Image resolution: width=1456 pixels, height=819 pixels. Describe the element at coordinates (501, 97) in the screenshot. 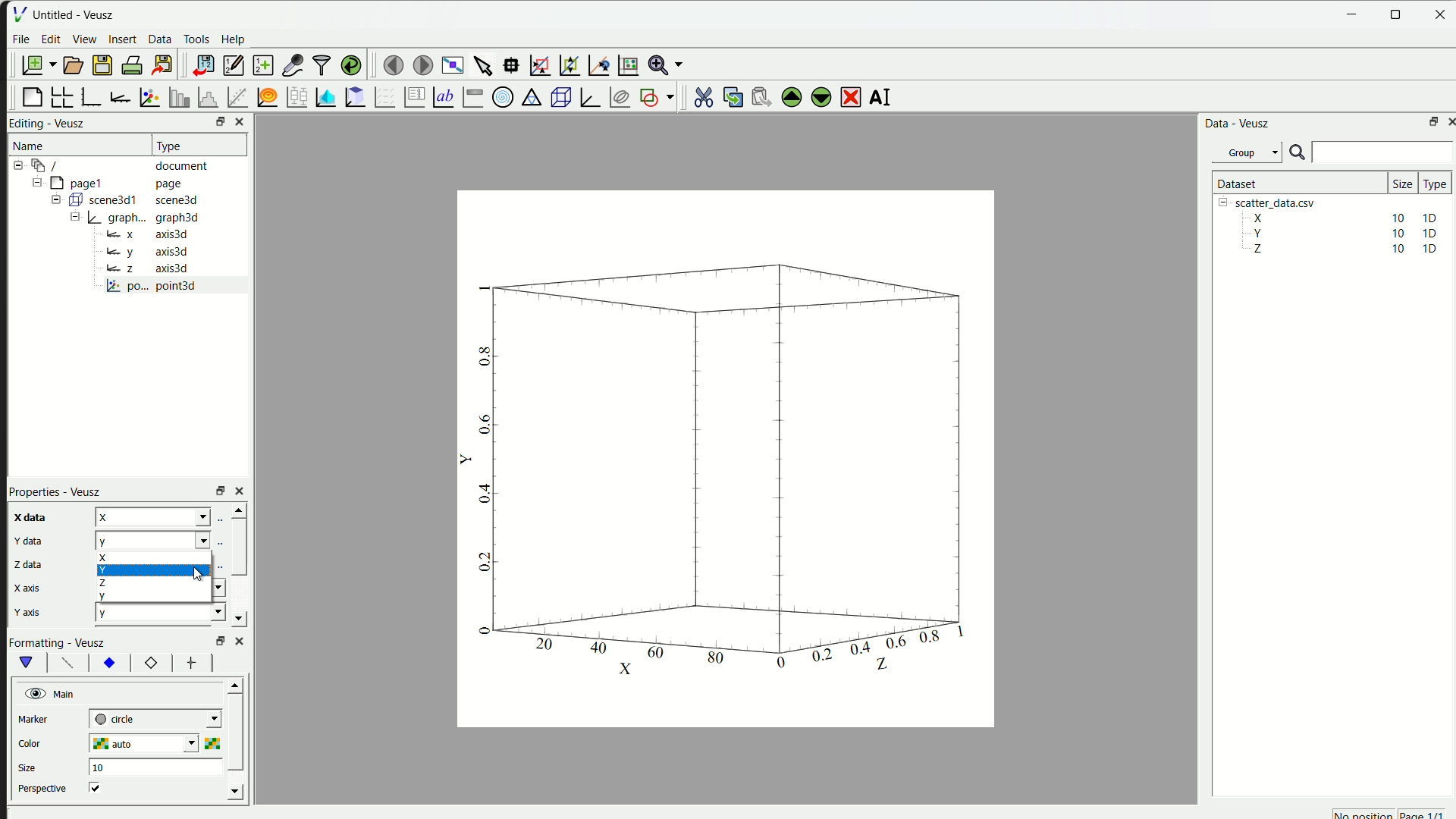

I see `Polar Graph` at that location.